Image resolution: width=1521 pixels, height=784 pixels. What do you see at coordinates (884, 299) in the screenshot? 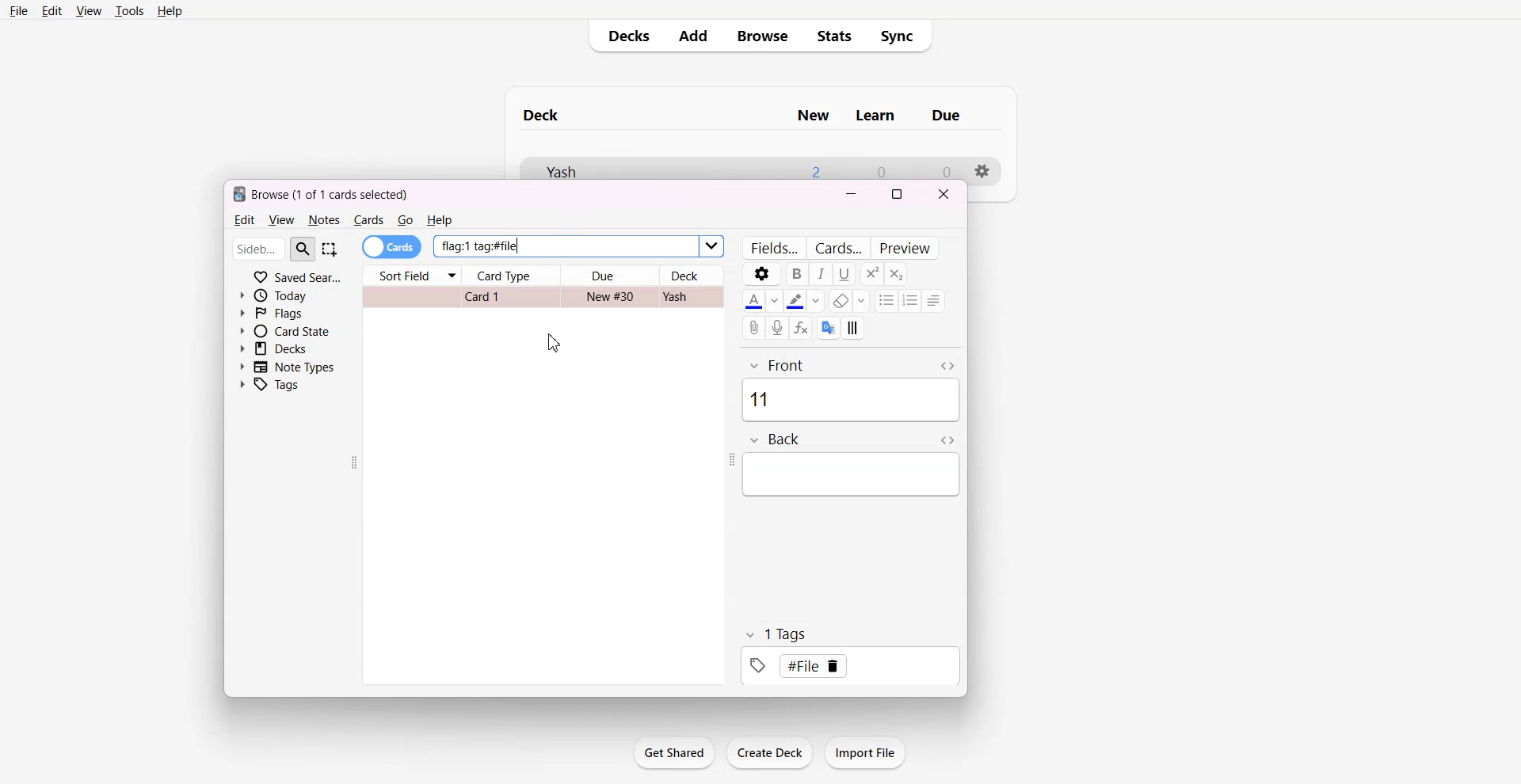
I see `Unordered List ` at bounding box center [884, 299].